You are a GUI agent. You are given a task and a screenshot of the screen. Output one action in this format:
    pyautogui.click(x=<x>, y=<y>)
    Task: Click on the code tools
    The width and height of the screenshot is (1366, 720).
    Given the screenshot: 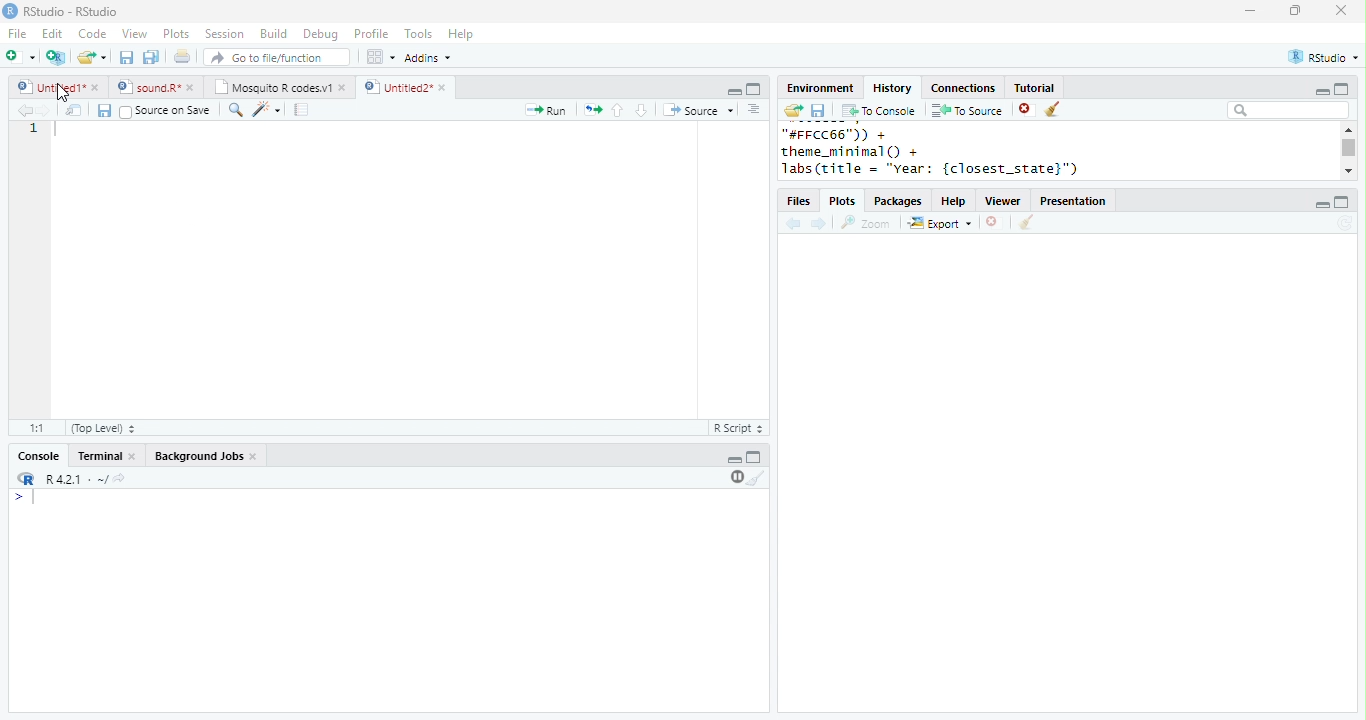 What is the action you would take?
    pyautogui.click(x=266, y=109)
    